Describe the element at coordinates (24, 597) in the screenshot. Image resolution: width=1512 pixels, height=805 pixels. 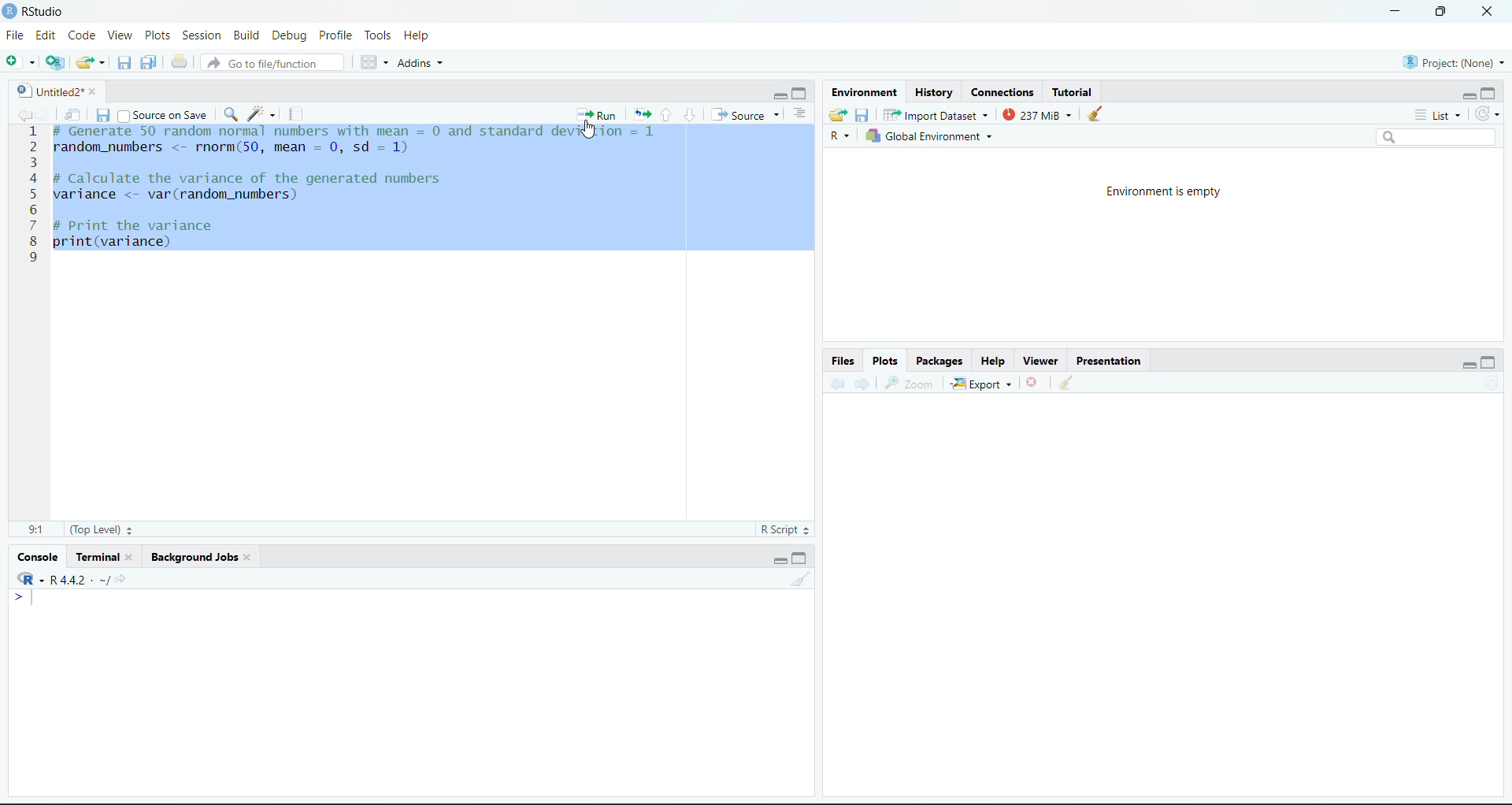
I see `>` at that location.